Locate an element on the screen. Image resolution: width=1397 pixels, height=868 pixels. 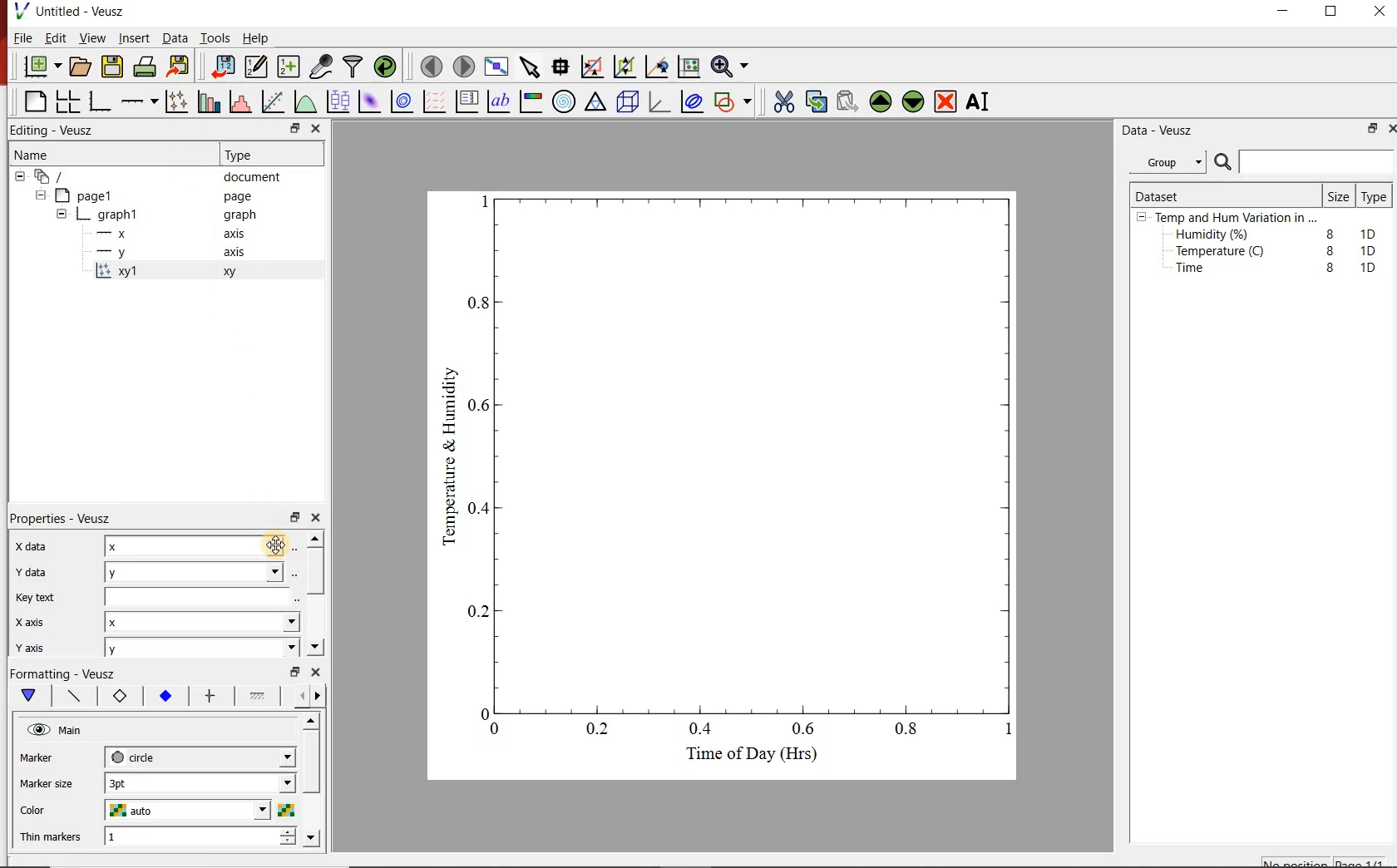
blank page is located at coordinates (33, 100).